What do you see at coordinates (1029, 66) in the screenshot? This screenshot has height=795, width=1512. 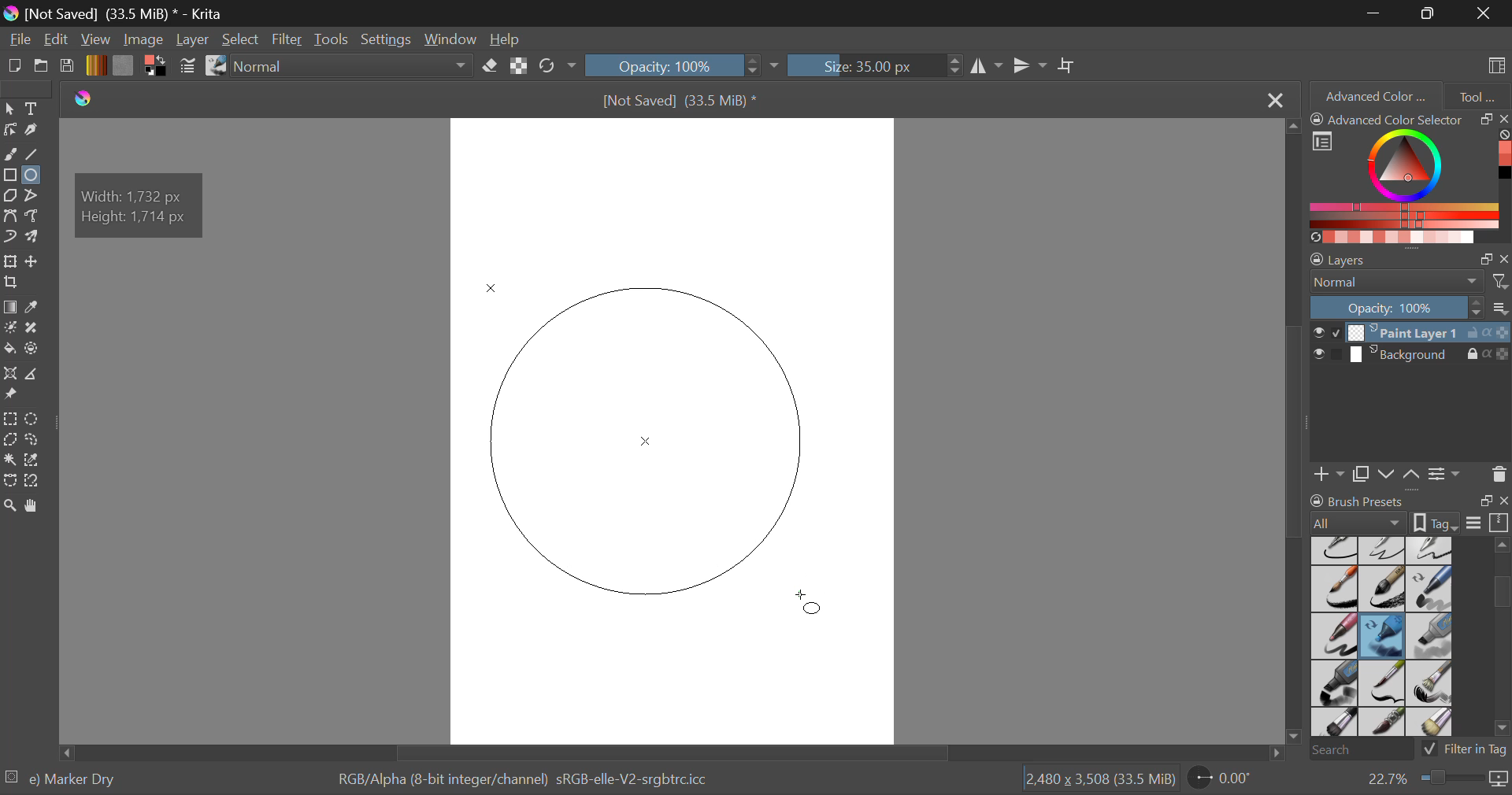 I see `Vertical Mirror Tool` at bounding box center [1029, 66].